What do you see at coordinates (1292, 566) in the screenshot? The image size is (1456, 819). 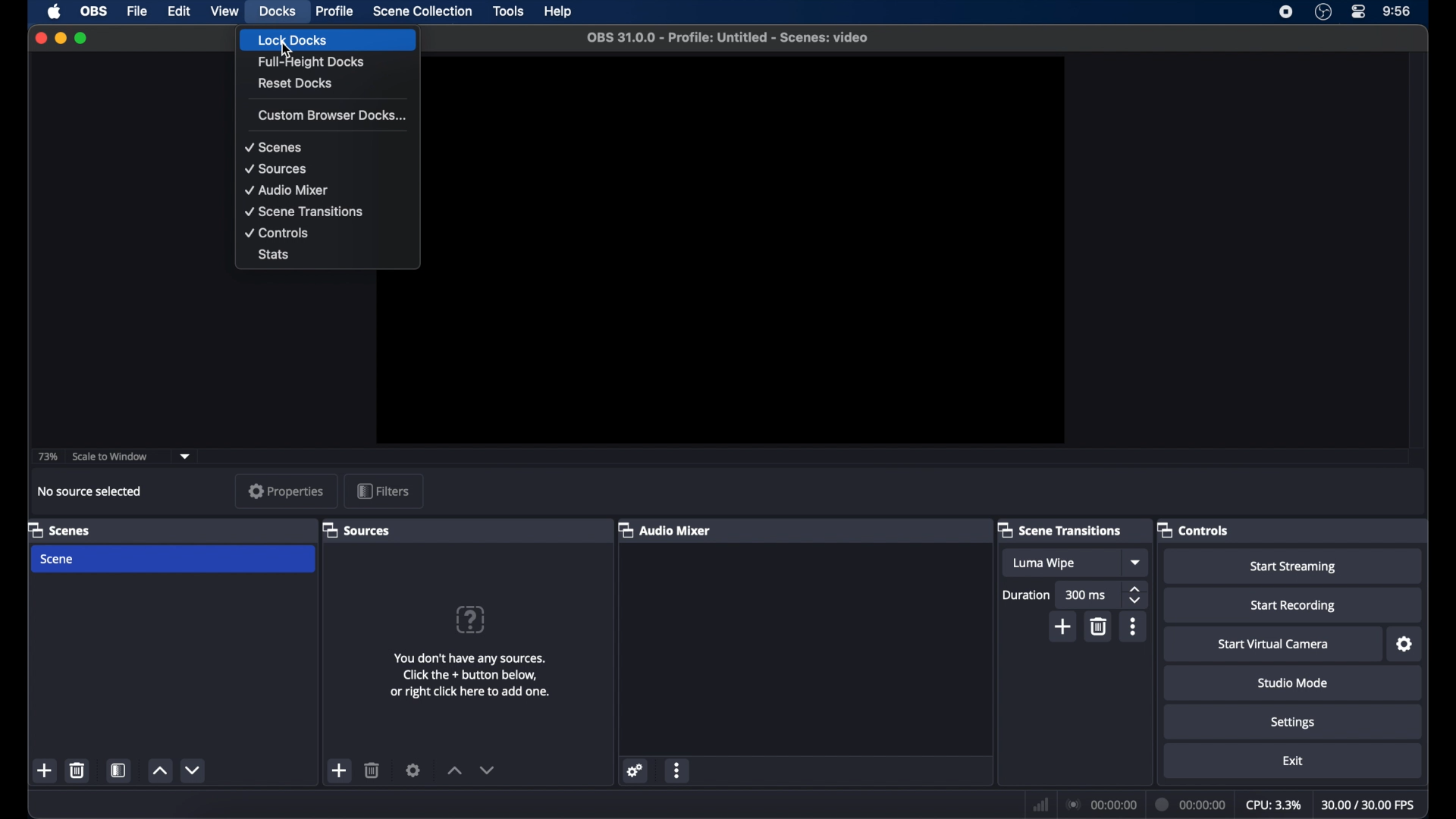 I see `start streaming` at bounding box center [1292, 566].